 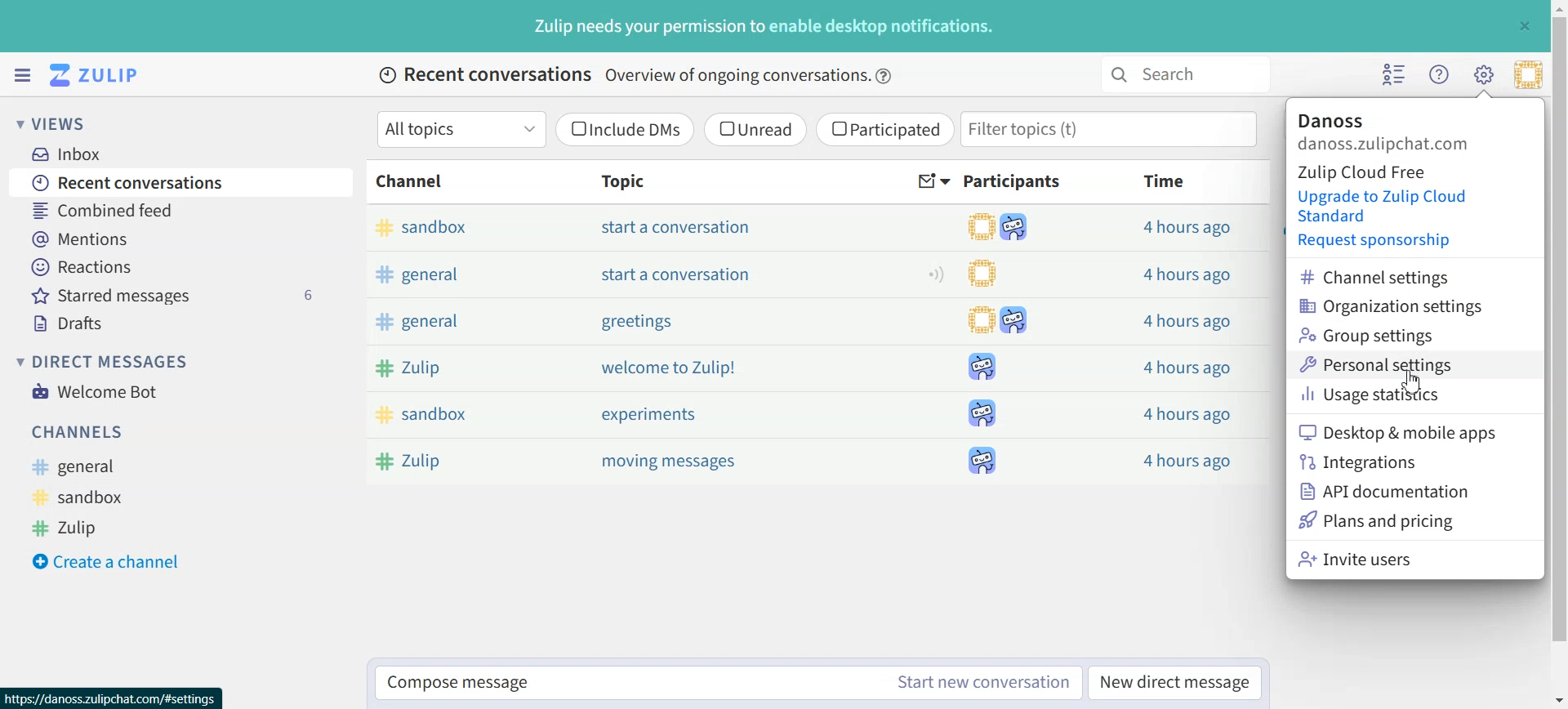 What do you see at coordinates (474, 417) in the screenshot?
I see `#Sandbox` at bounding box center [474, 417].